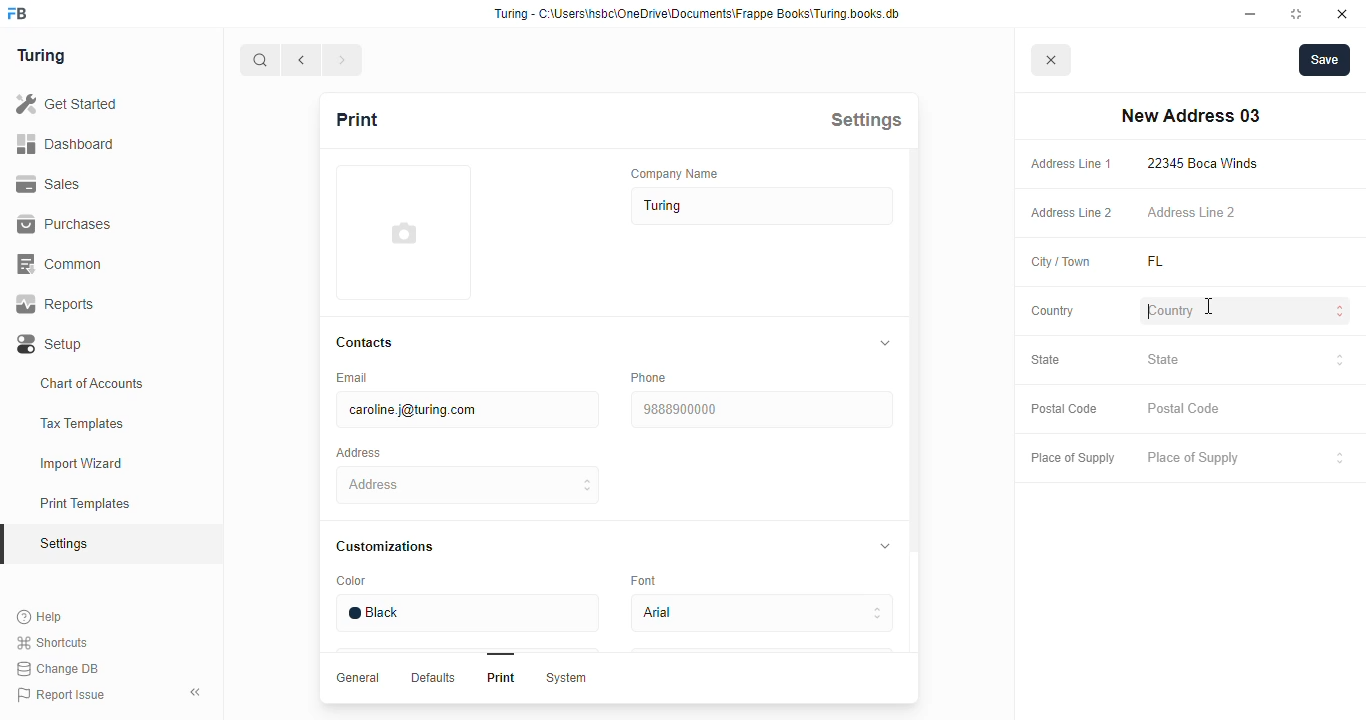 The height and width of the screenshot is (720, 1366). Describe the element at coordinates (56, 304) in the screenshot. I see `reports` at that location.